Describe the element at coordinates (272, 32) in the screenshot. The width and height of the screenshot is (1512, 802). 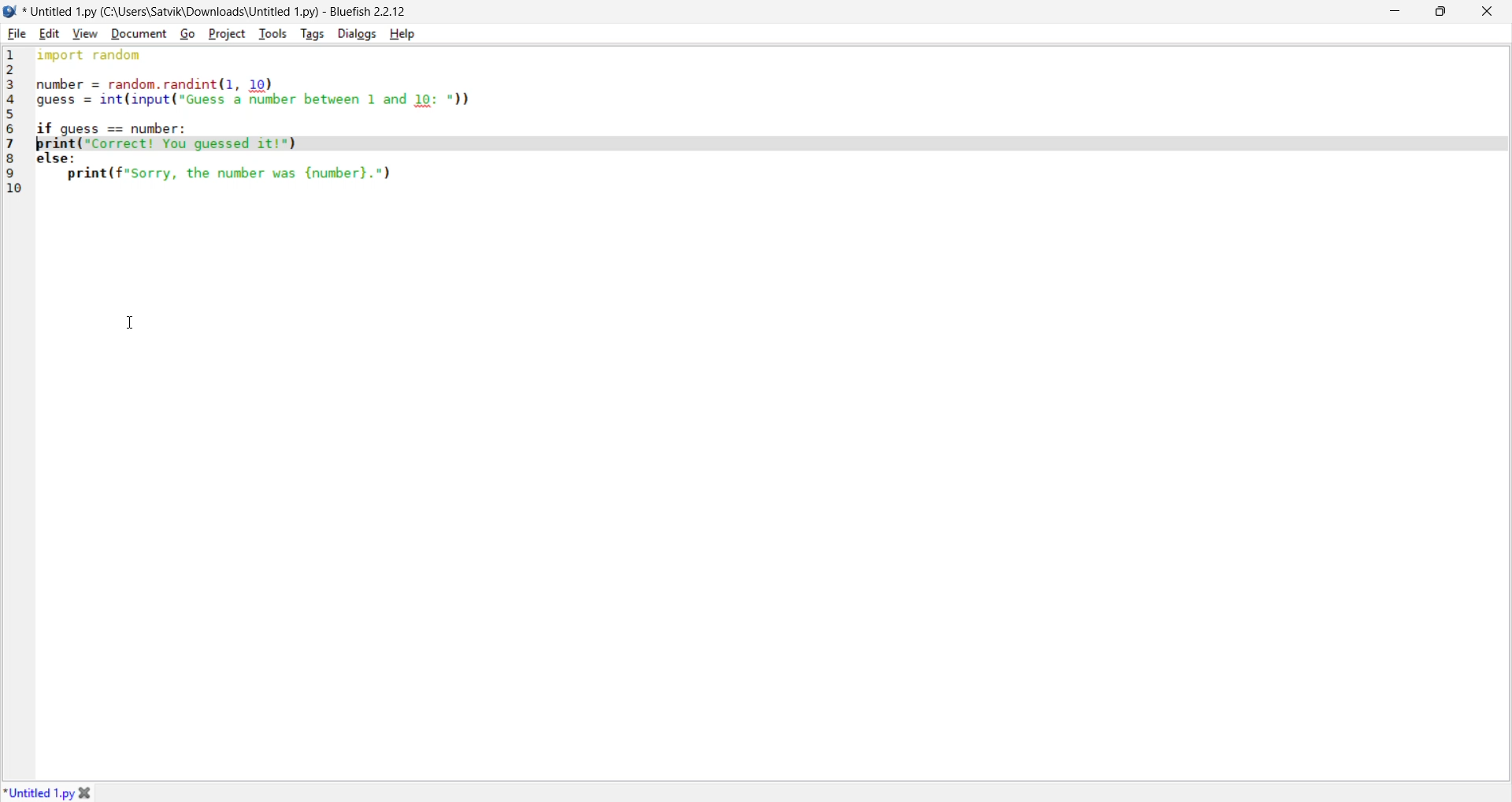
I see `tools` at that location.